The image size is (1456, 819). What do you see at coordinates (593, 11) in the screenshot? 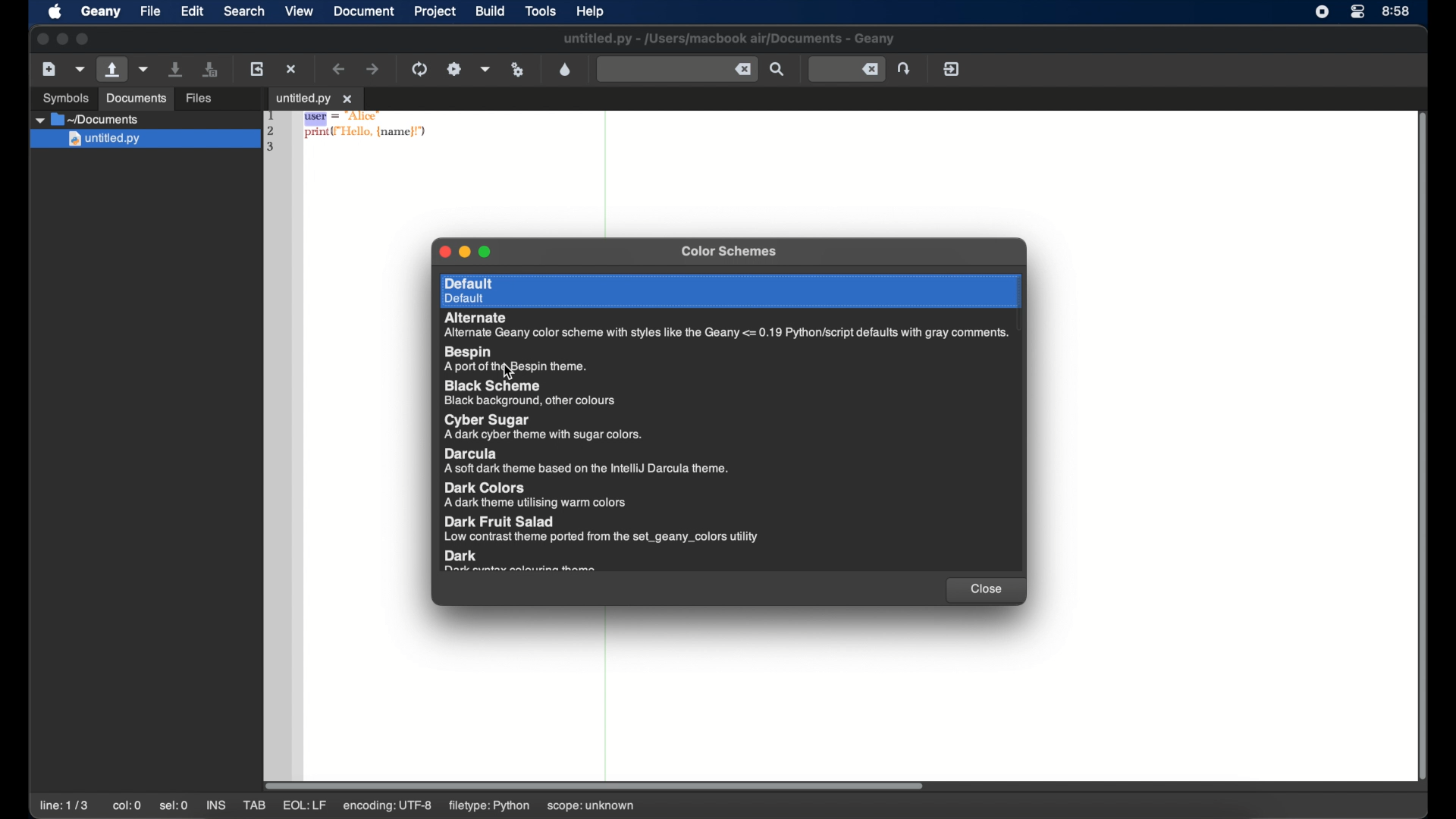
I see `help` at bounding box center [593, 11].